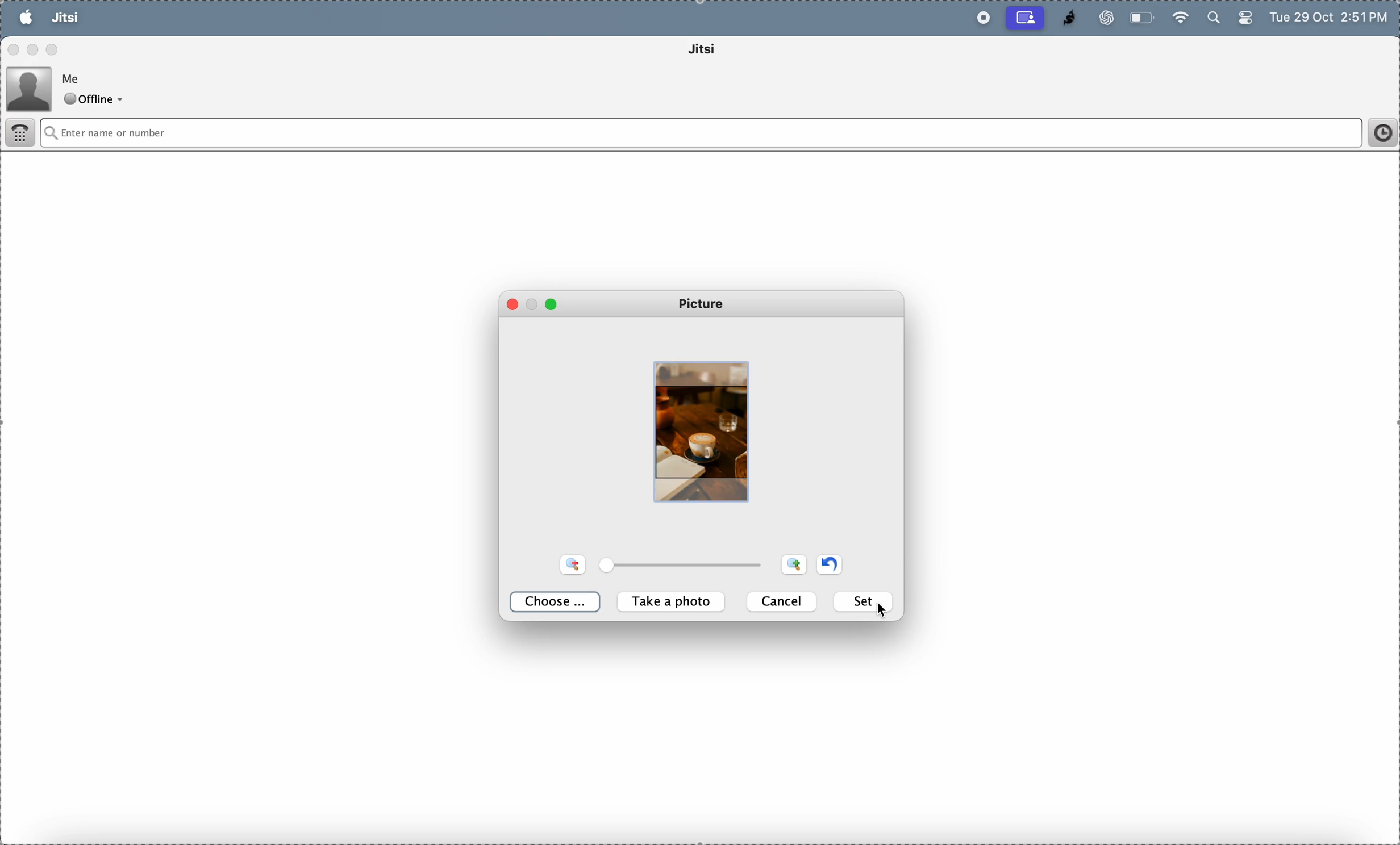  What do you see at coordinates (784, 601) in the screenshot?
I see `cancel` at bounding box center [784, 601].